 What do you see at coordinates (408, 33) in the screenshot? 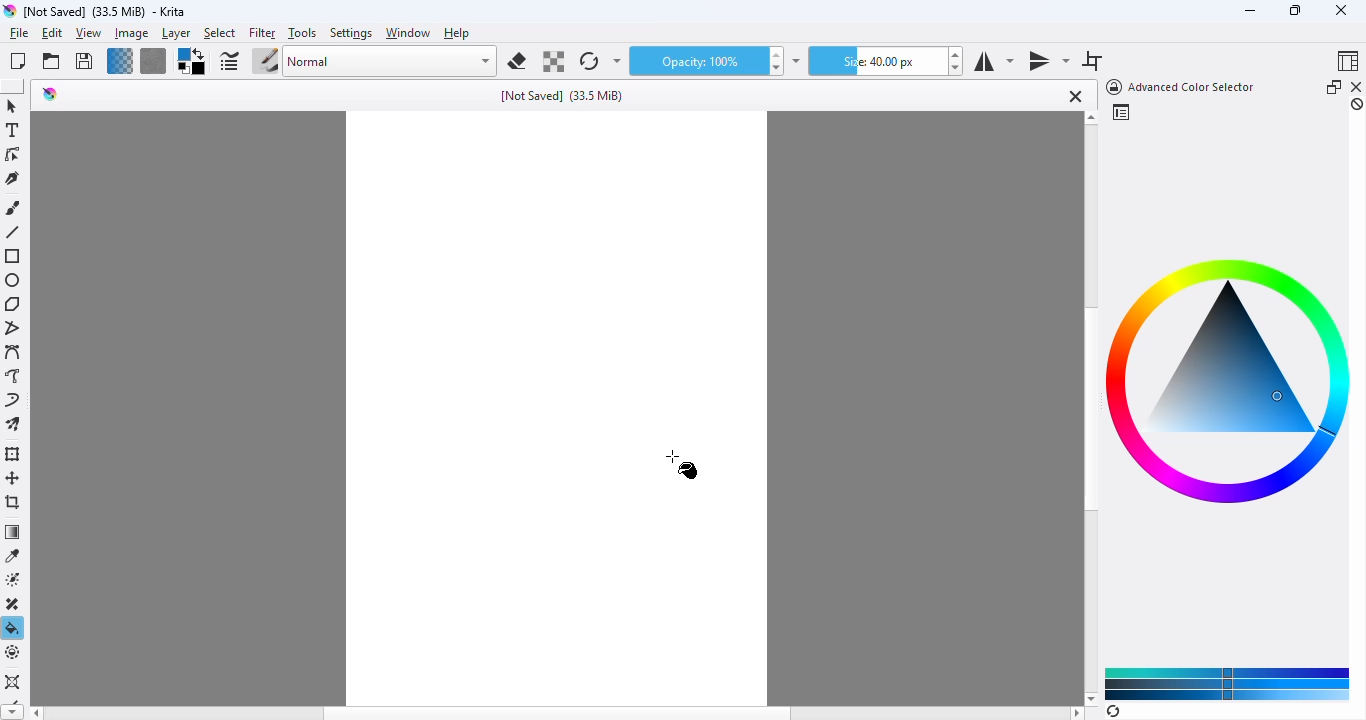
I see `window` at bounding box center [408, 33].